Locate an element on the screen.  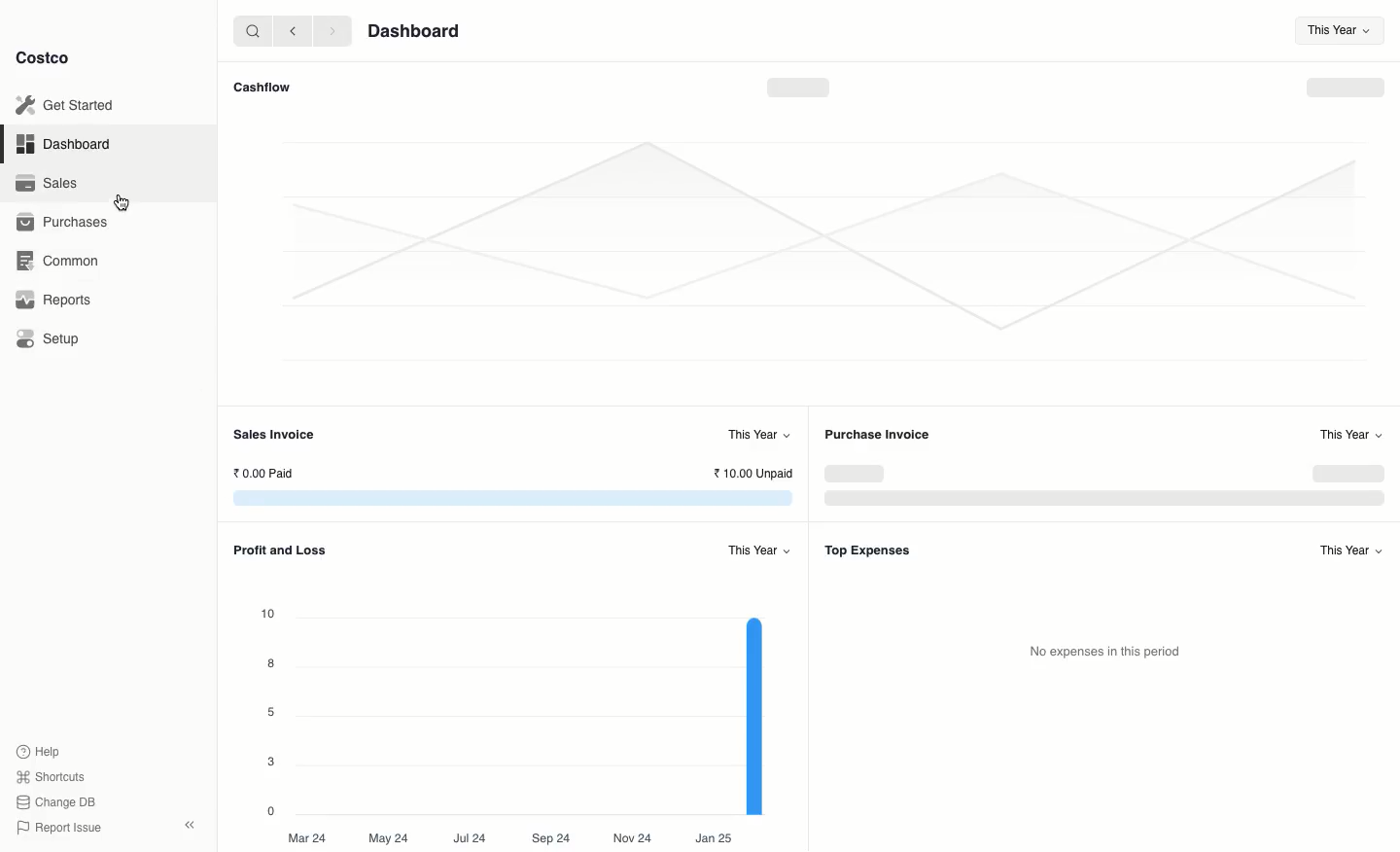
10 is located at coordinates (268, 614).